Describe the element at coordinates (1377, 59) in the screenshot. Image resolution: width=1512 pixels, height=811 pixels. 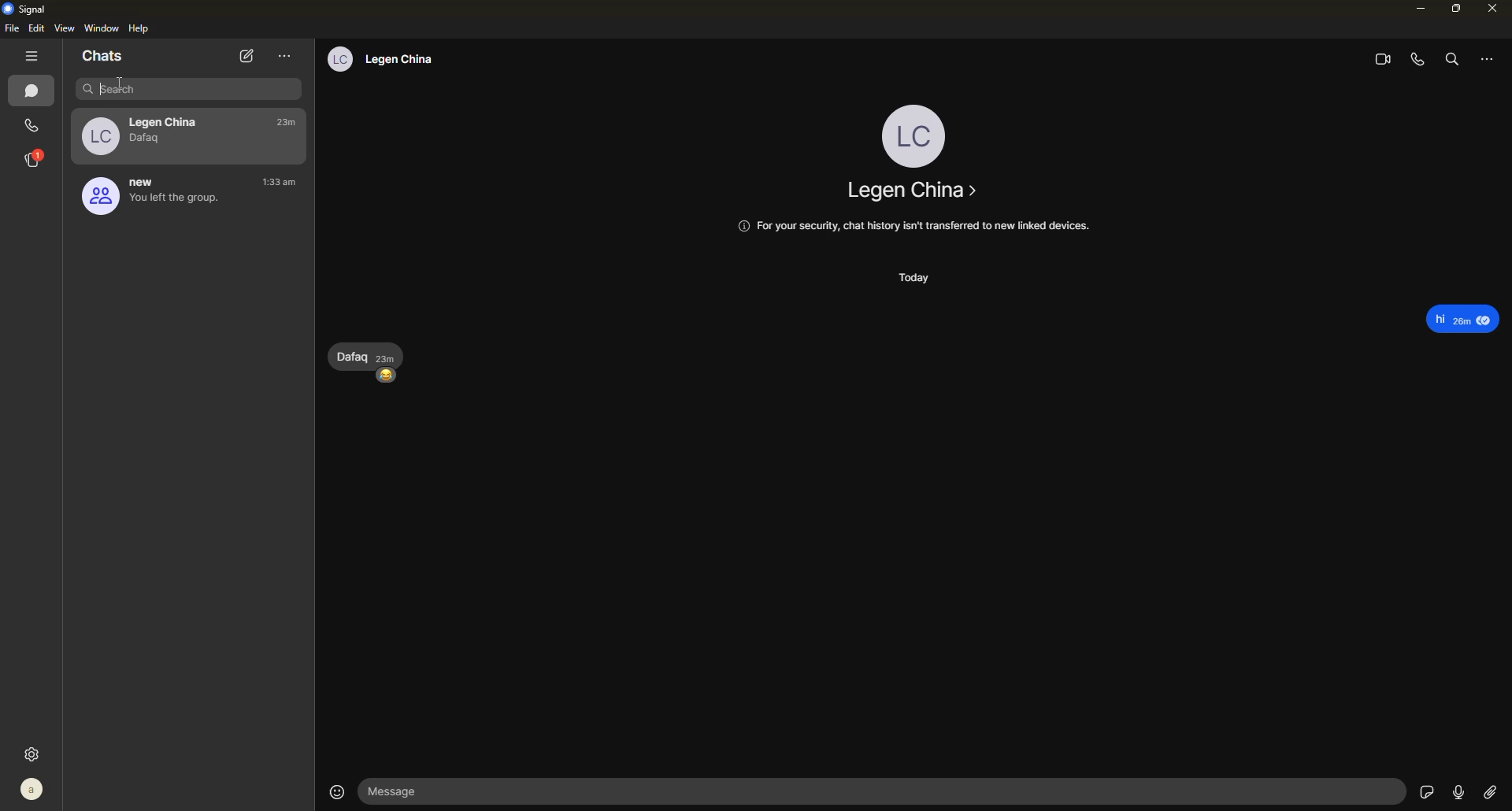
I see `video call` at that location.